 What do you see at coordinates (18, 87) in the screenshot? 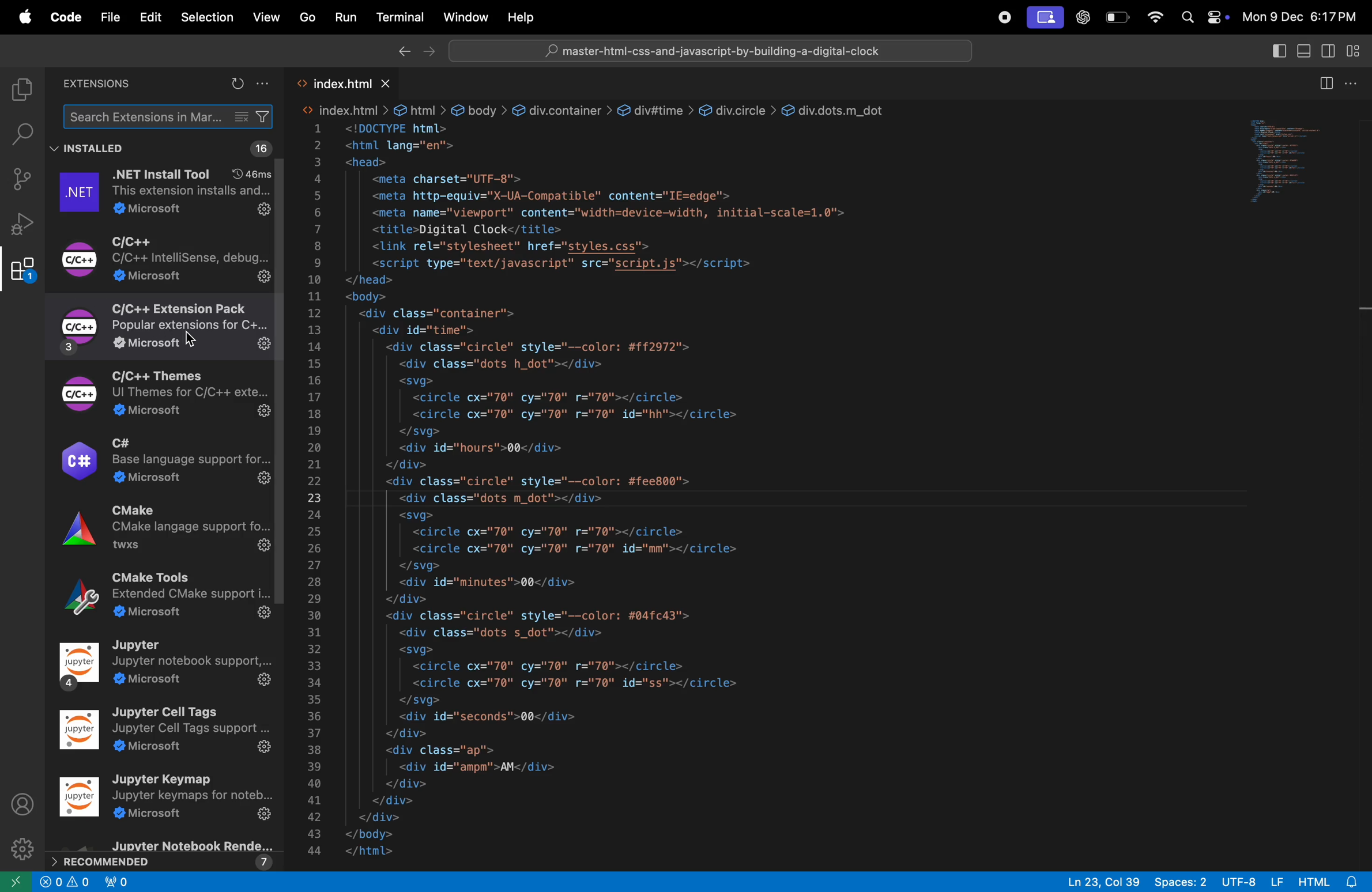
I see `explorer` at bounding box center [18, 87].